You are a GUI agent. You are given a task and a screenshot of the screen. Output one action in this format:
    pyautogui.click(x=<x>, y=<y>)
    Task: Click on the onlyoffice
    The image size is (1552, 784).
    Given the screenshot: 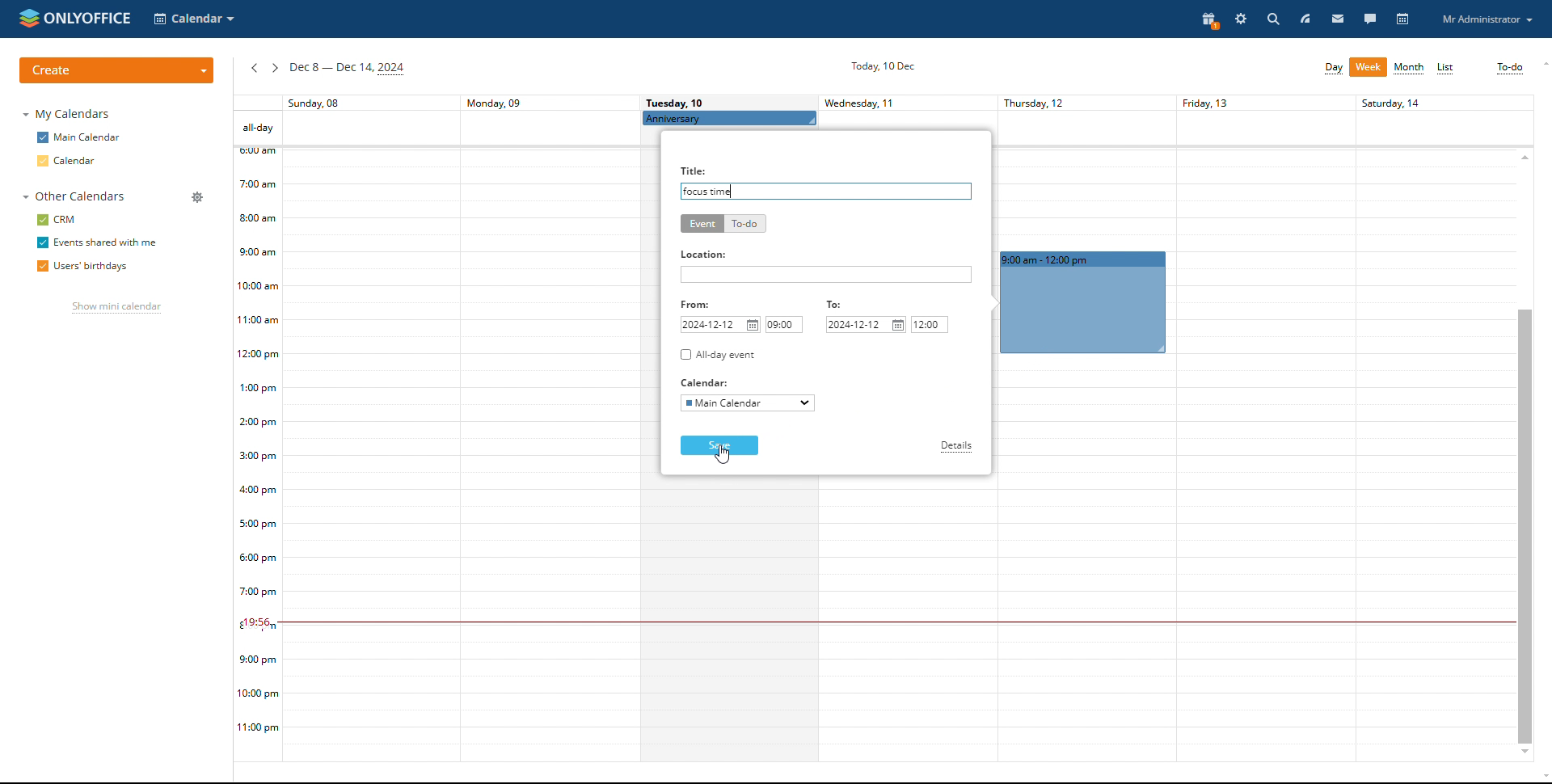 What is the action you would take?
    pyautogui.click(x=86, y=19)
    